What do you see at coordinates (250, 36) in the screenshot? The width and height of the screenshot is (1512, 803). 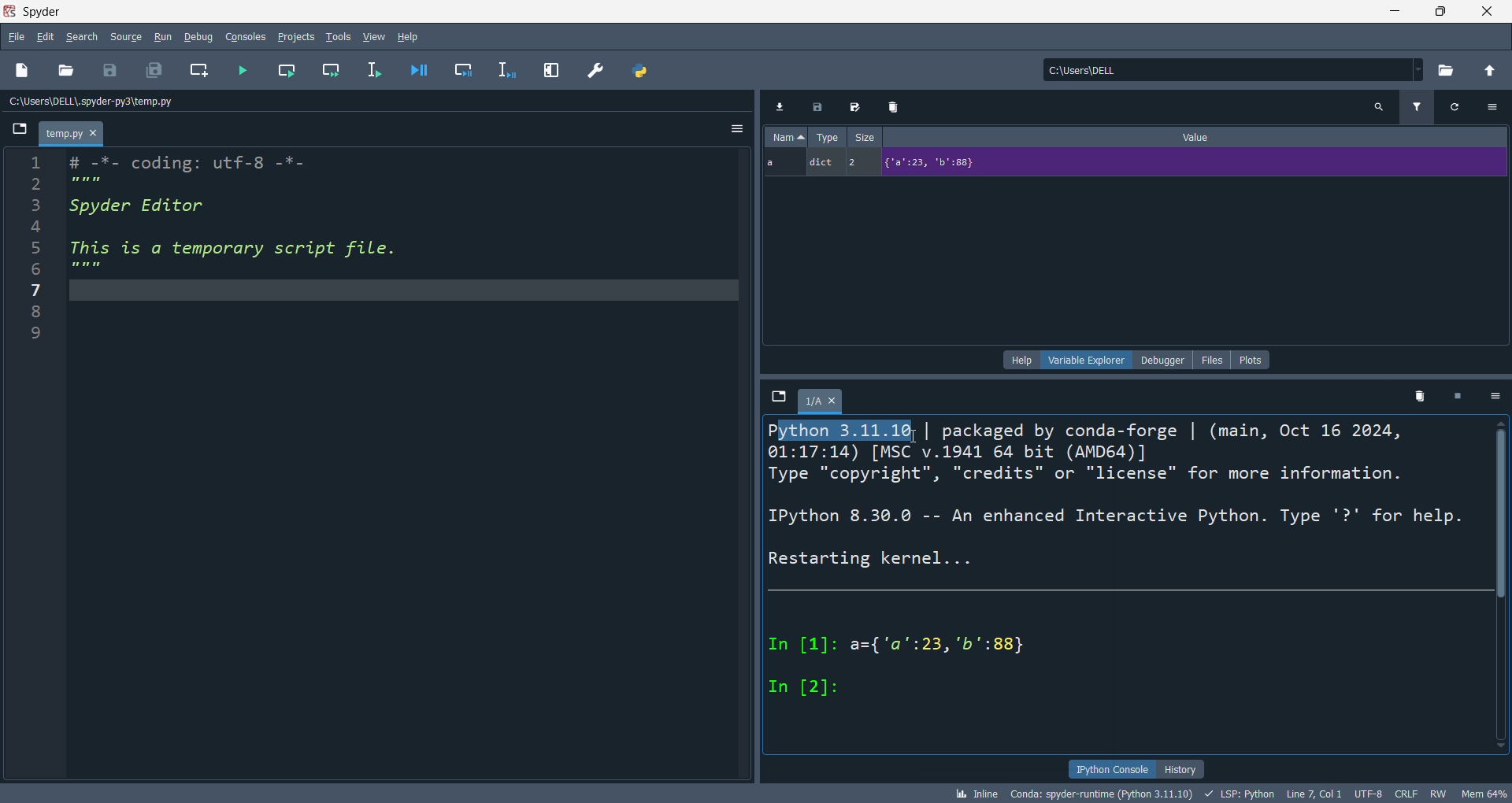 I see `consoles` at bounding box center [250, 36].